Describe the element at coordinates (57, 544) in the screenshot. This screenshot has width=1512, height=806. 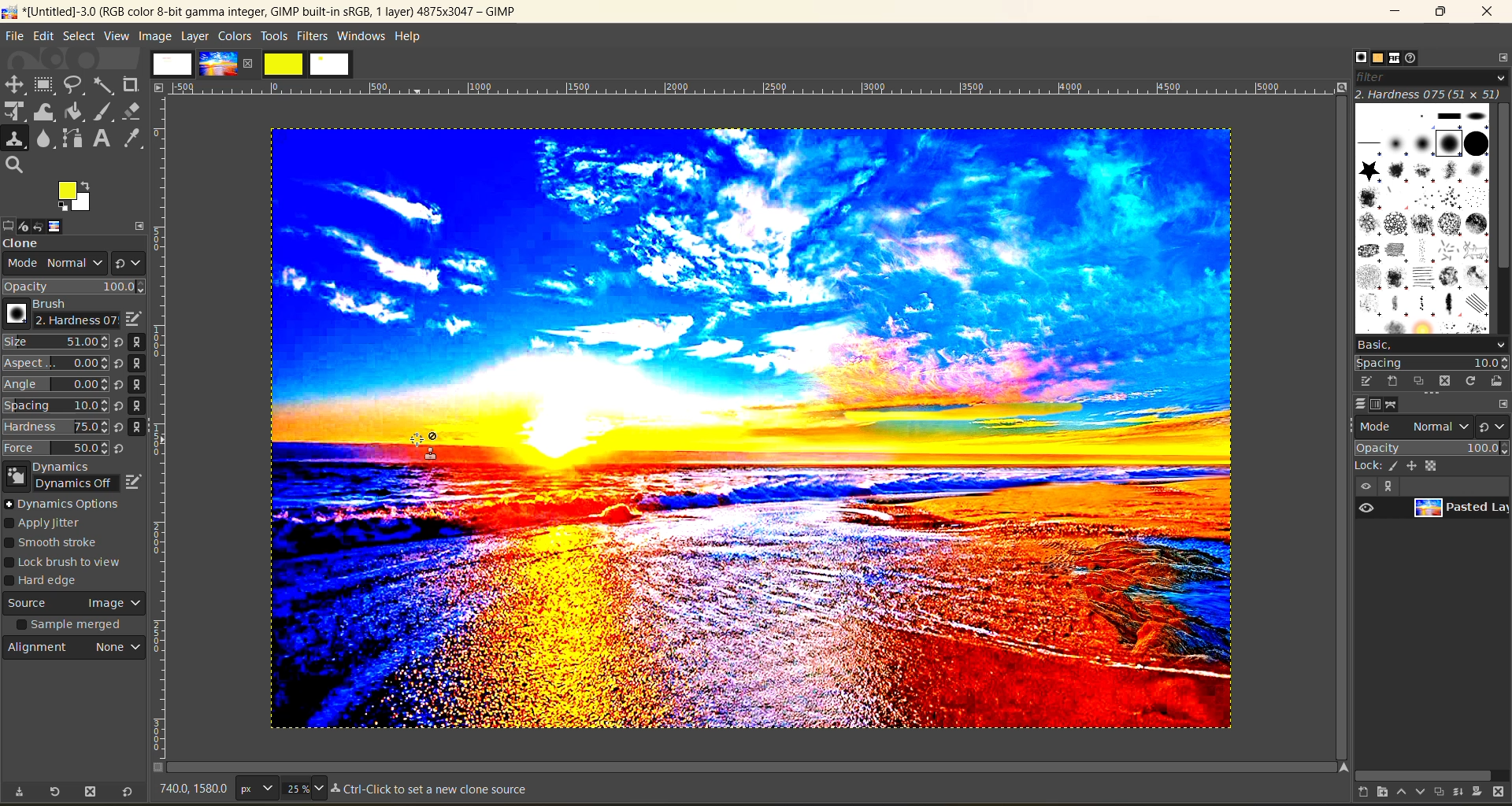
I see `smooth stroke` at that location.